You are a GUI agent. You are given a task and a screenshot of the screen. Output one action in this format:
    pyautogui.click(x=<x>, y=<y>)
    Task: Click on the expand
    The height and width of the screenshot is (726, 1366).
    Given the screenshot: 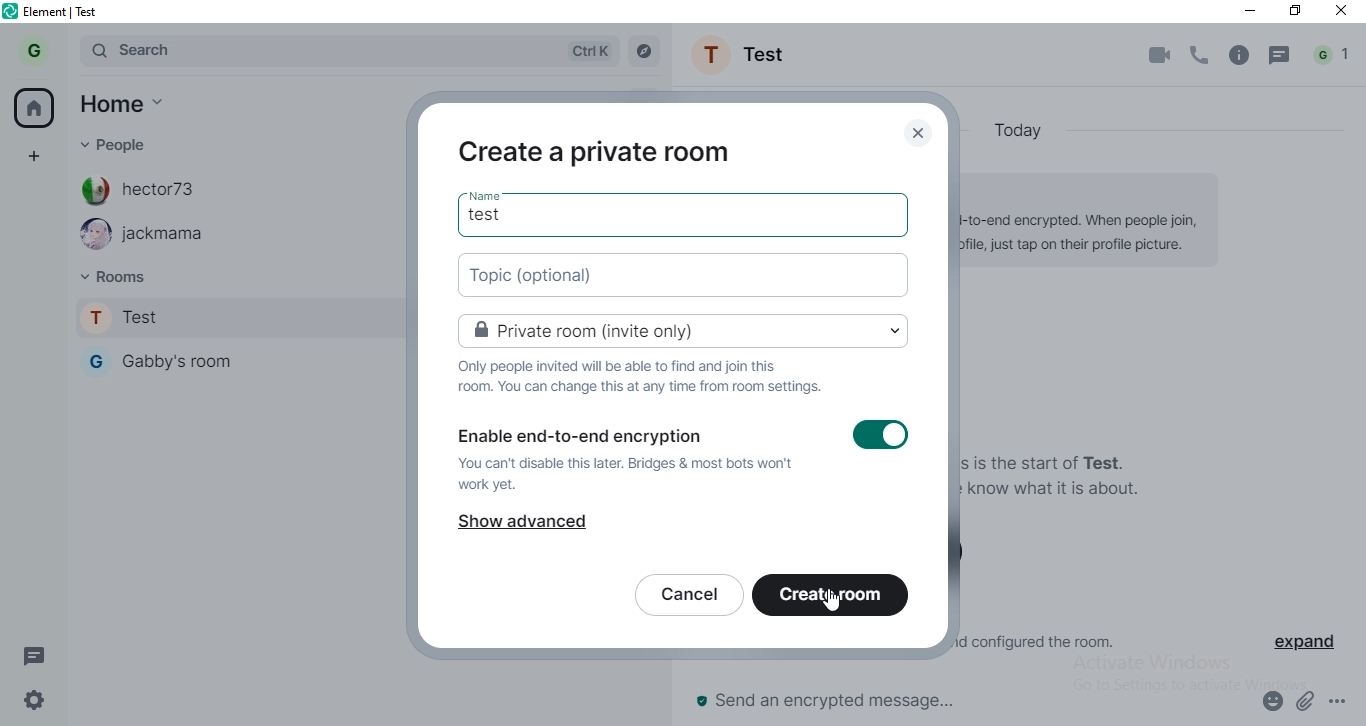 What is the action you would take?
    pyautogui.click(x=1304, y=643)
    